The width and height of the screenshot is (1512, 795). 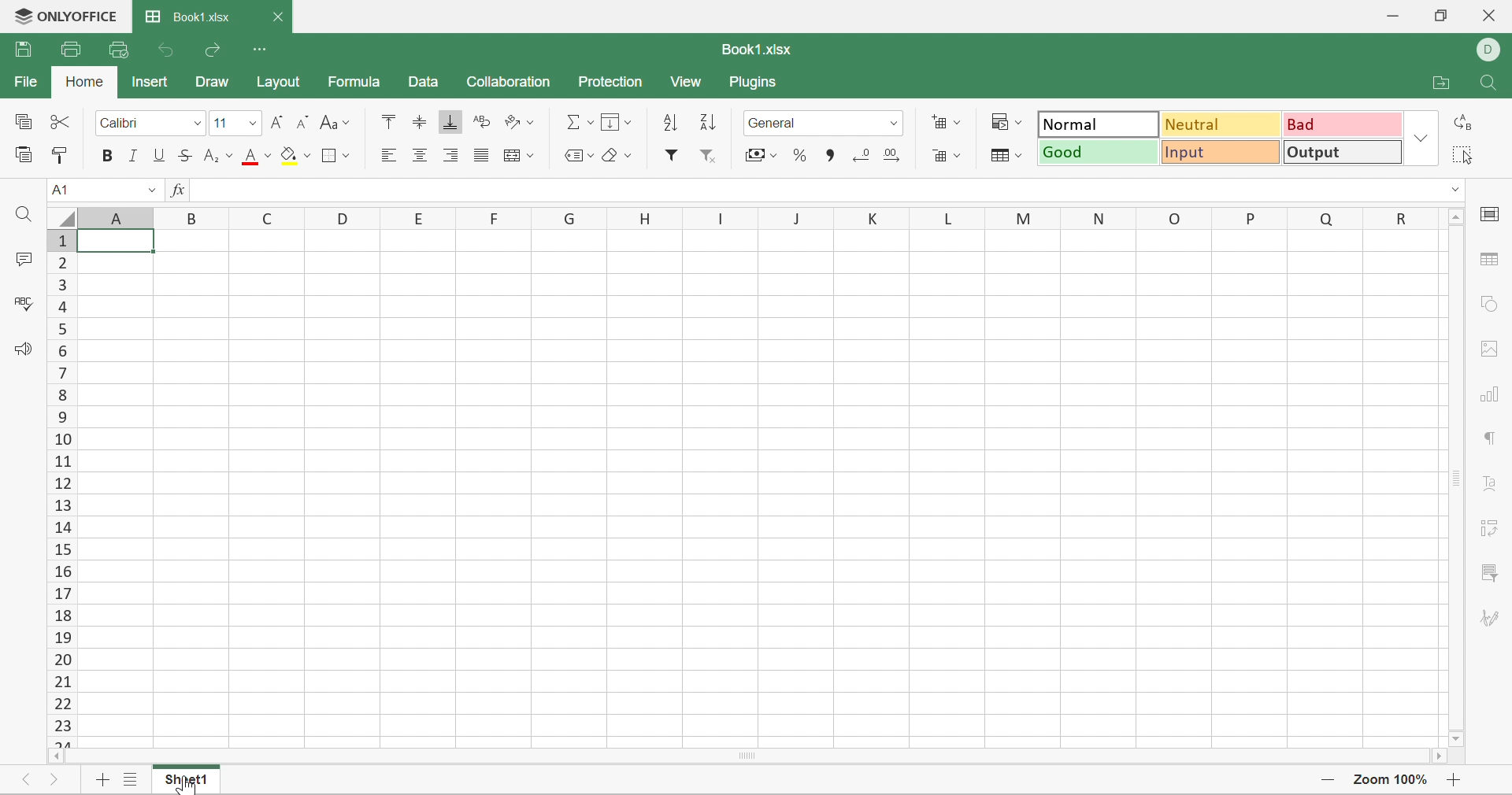 What do you see at coordinates (188, 785) in the screenshot?
I see `Sheet1` at bounding box center [188, 785].